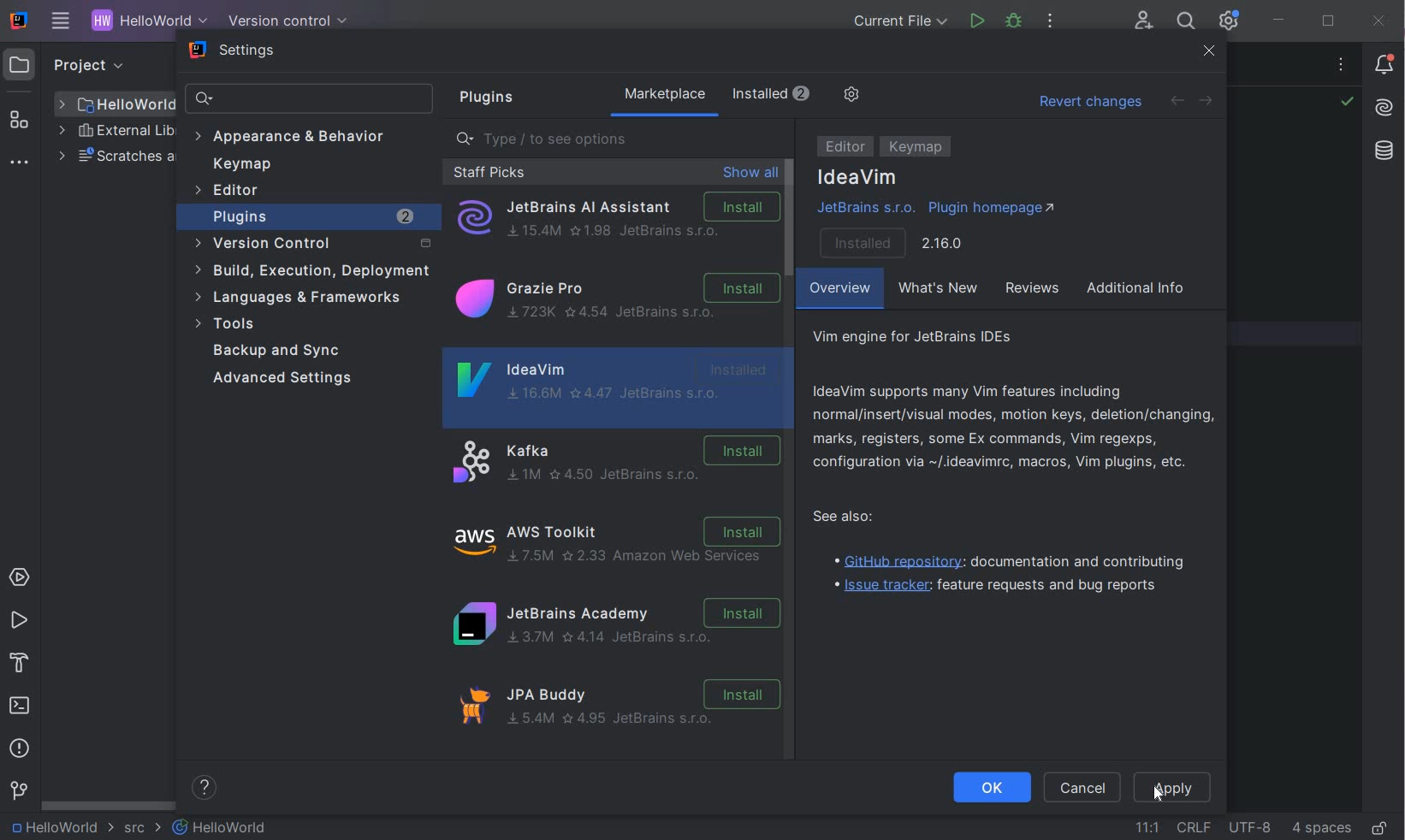 This screenshot has width=1405, height=840. Describe the element at coordinates (145, 22) in the screenshot. I see `PROJECT NAME` at that location.